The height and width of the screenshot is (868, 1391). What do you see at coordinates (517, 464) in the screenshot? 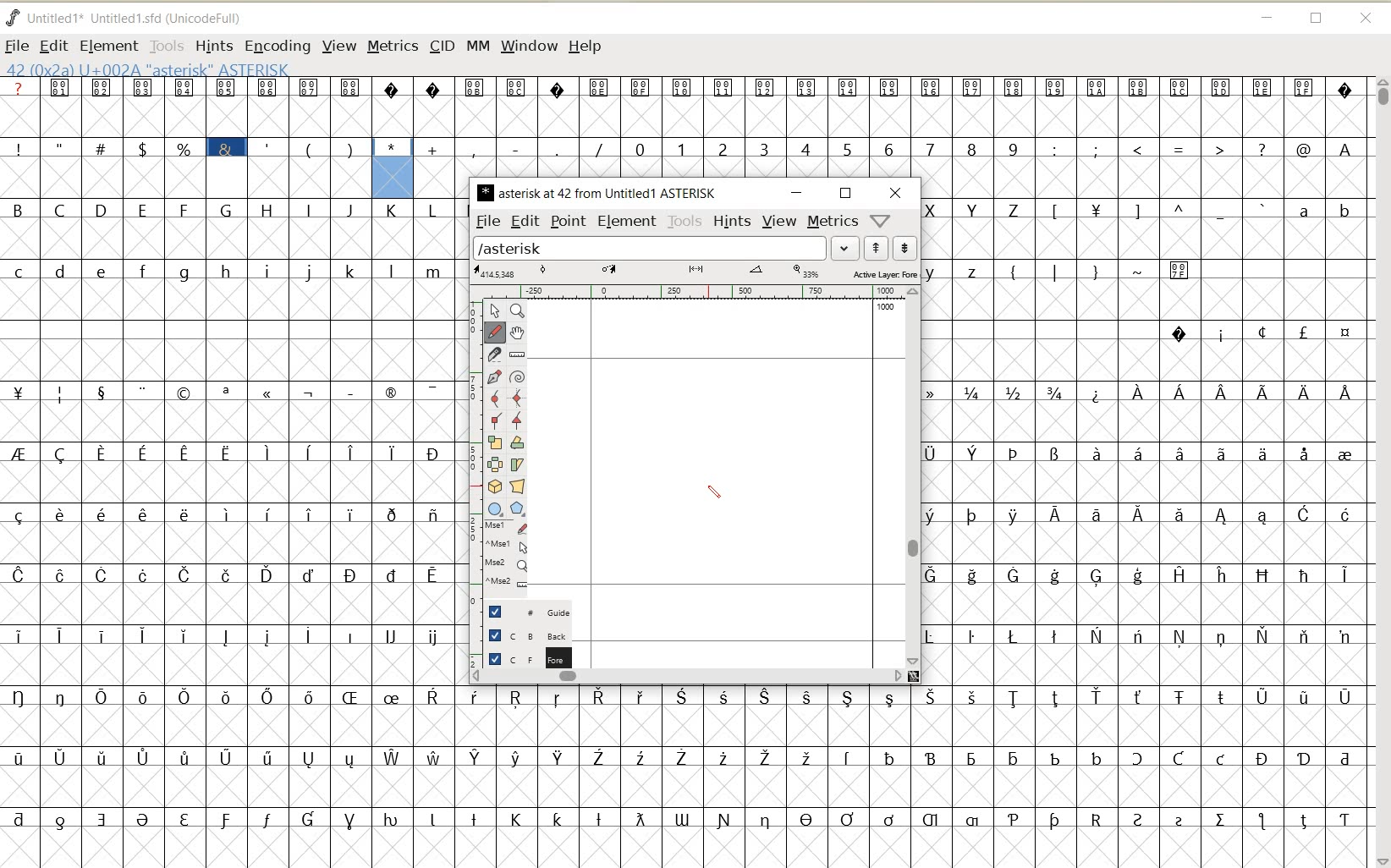
I see `skew the selection` at bounding box center [517, 464].